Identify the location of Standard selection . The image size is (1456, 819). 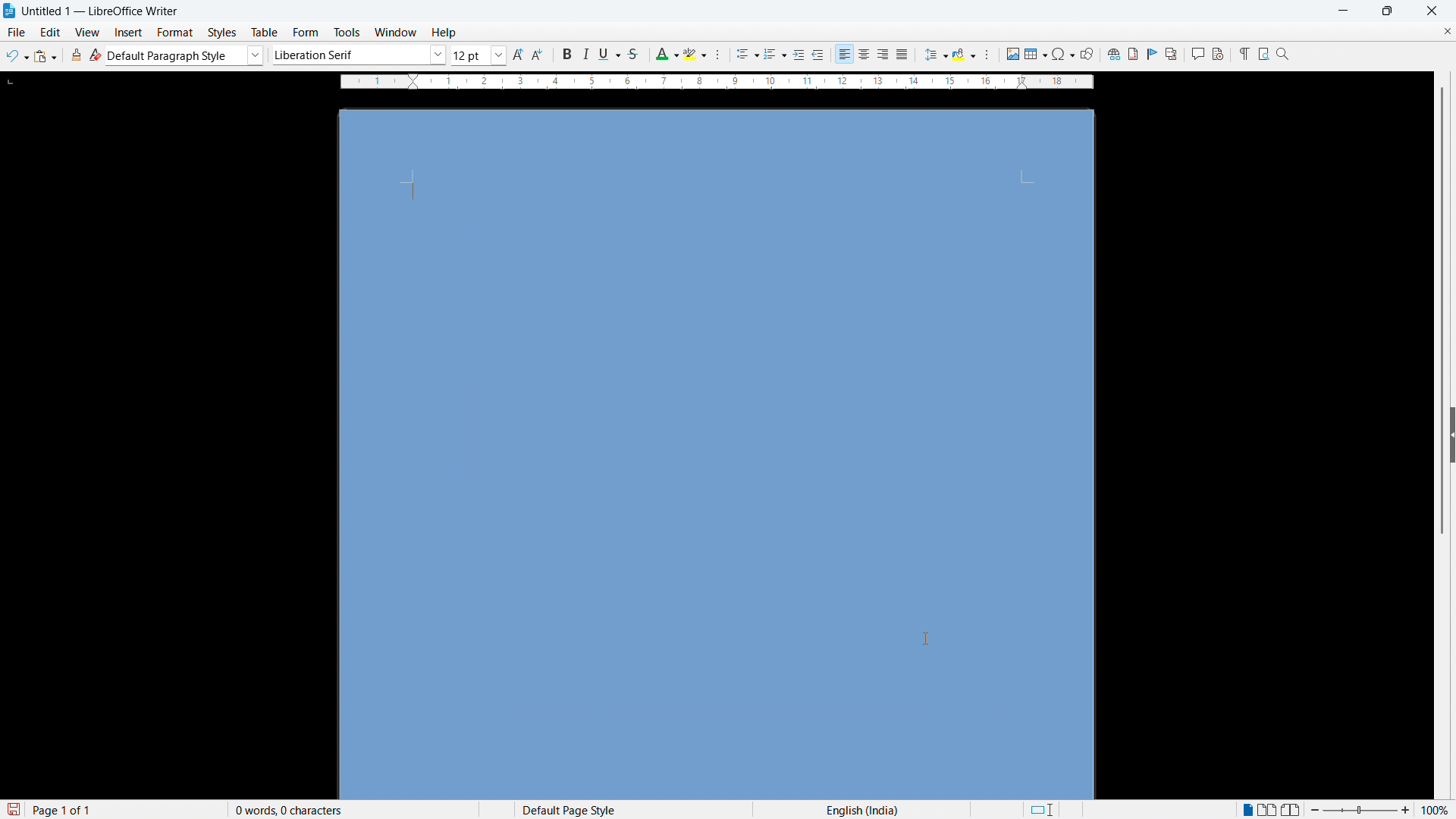
(1040, 810).